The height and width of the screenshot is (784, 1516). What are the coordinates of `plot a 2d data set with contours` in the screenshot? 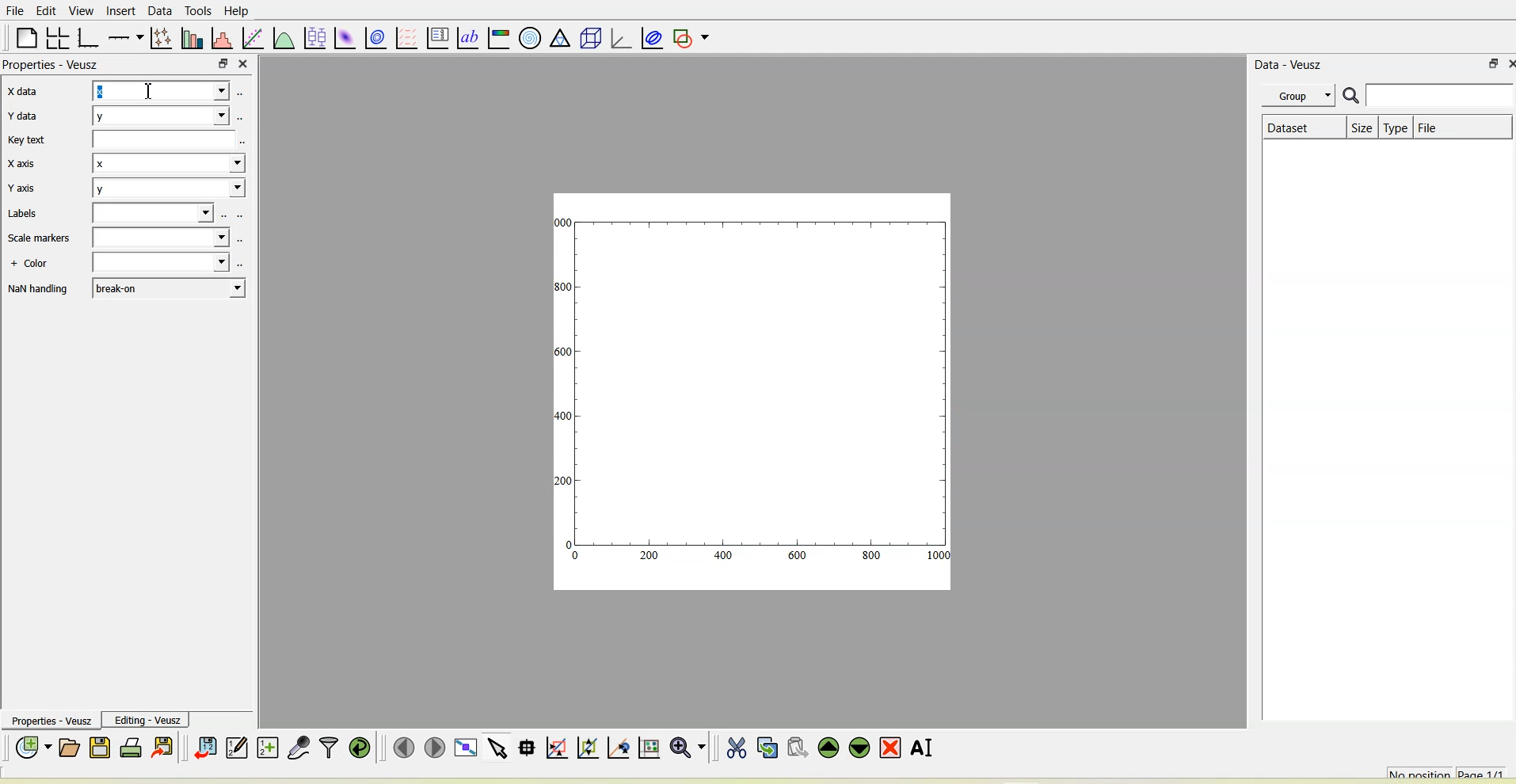 It's located at (375, 38).